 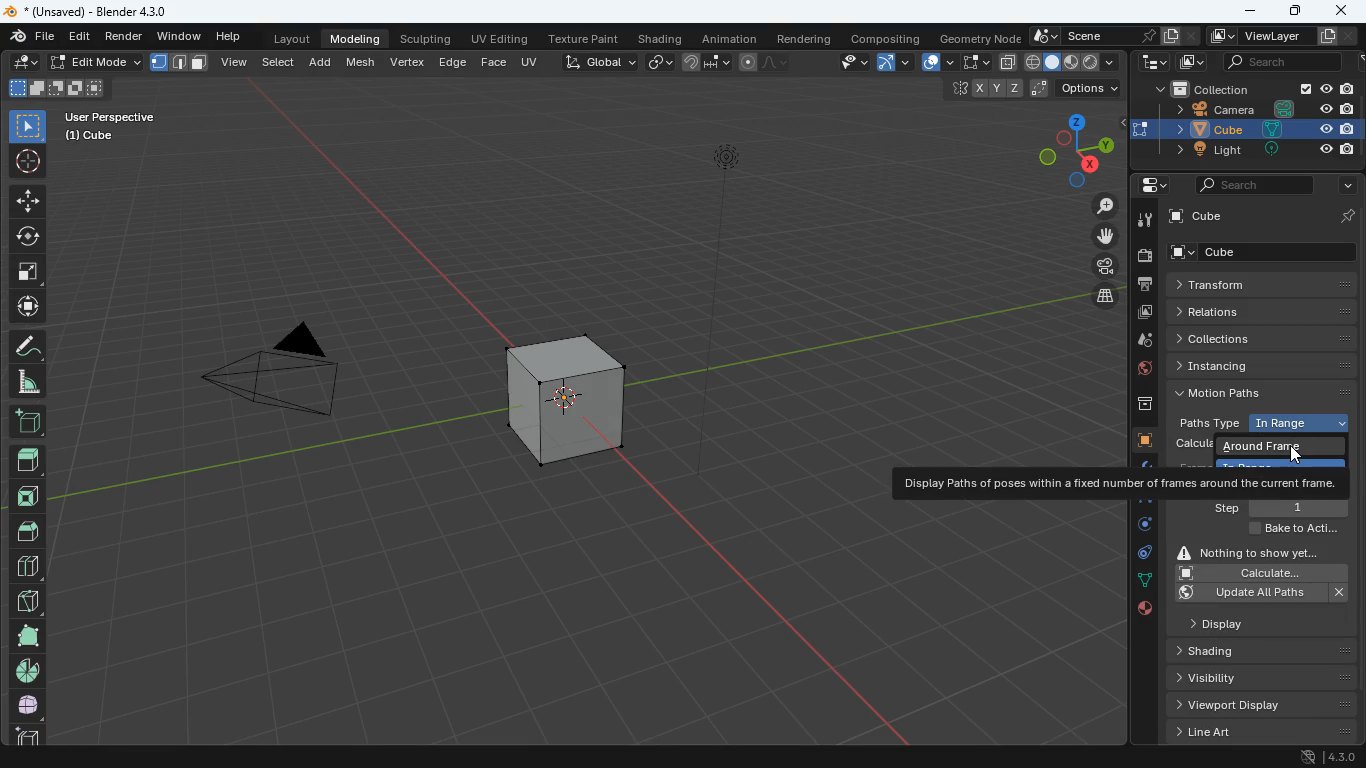 I want to click on file, so click(x=30, y=37).